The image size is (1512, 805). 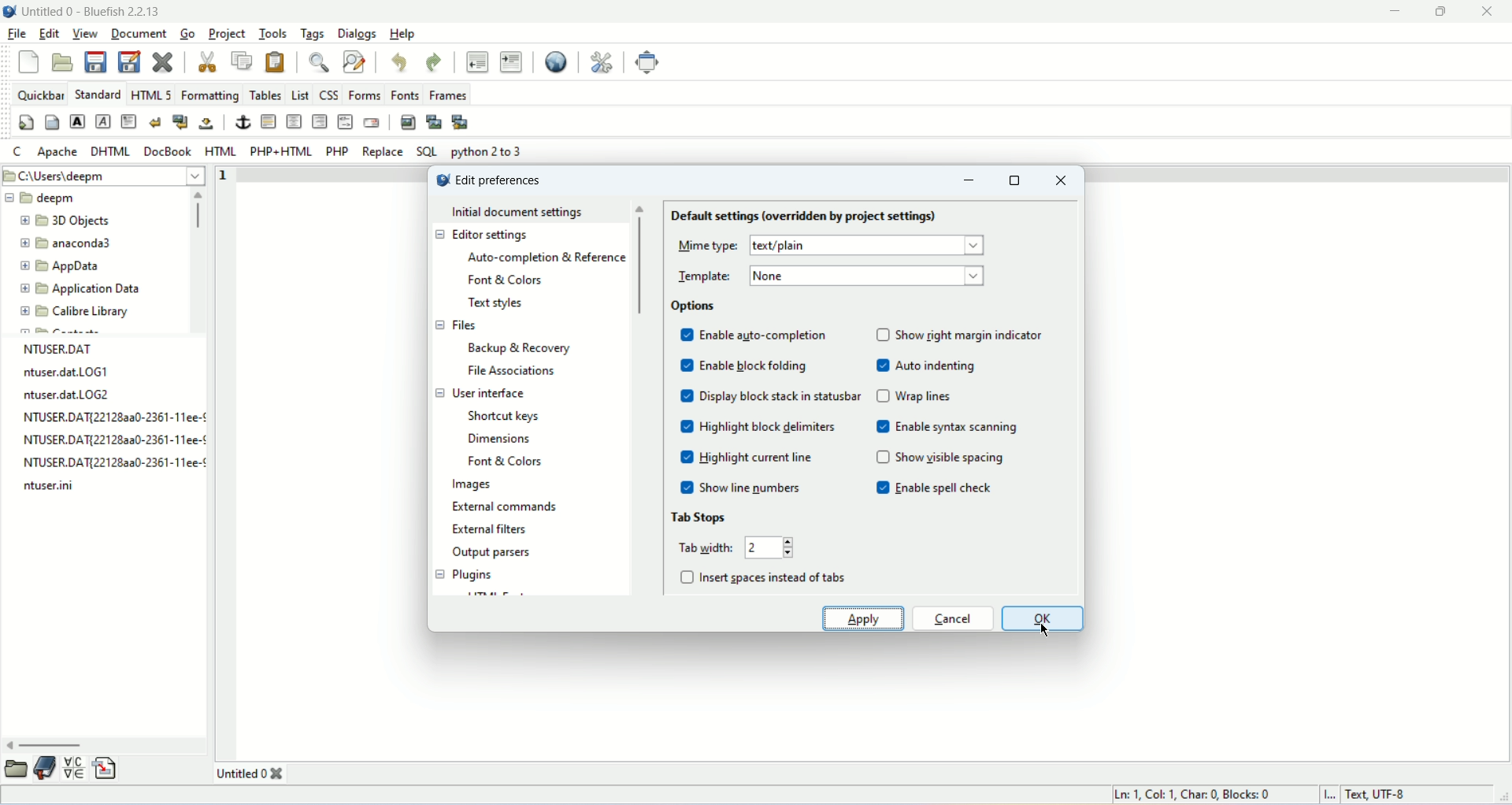 What do you see at coordinates (207, 62) in the screenshot?
I see `cut` at bounding box center [207, 62].